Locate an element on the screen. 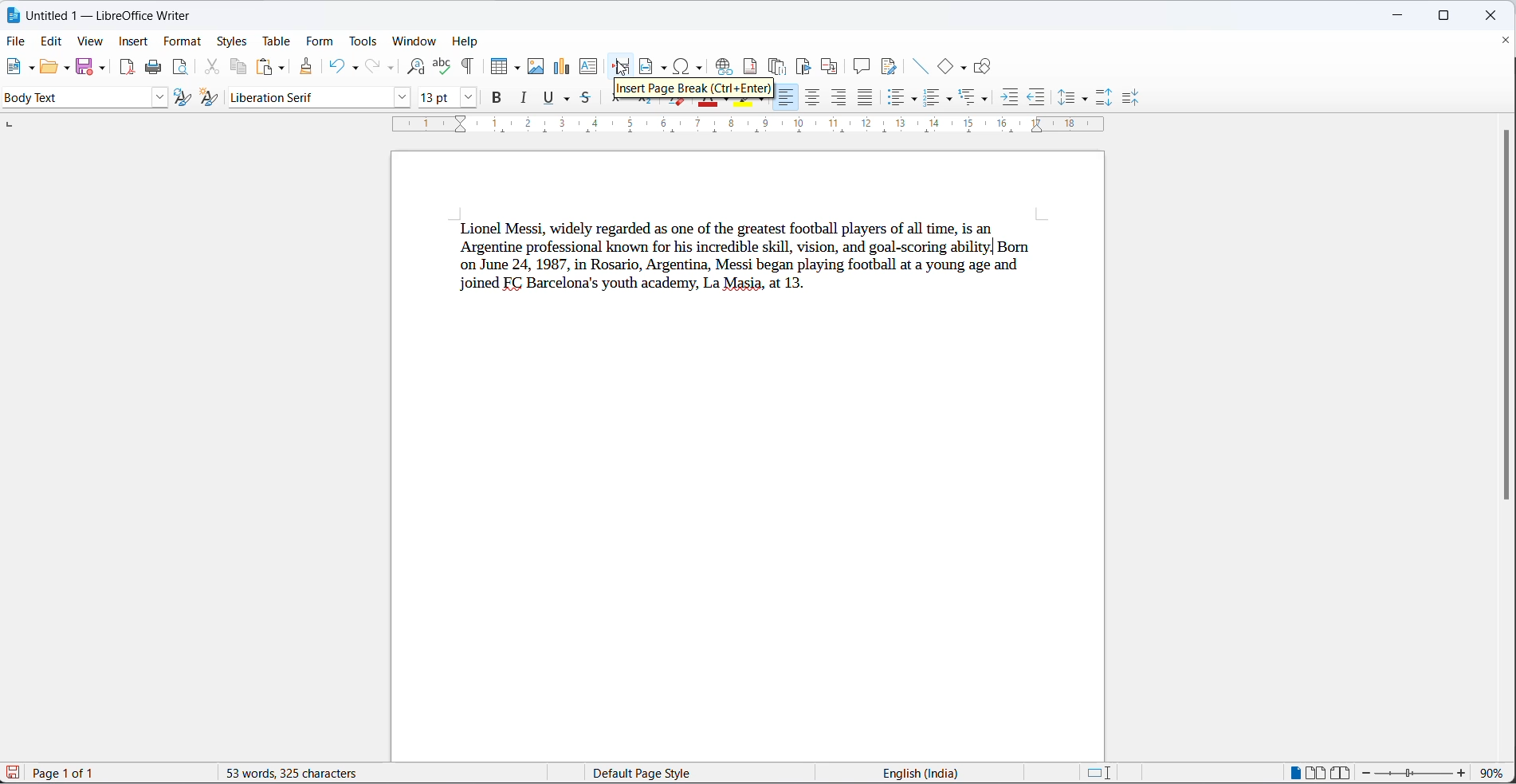  text align left is located at coordinates (839, 99).